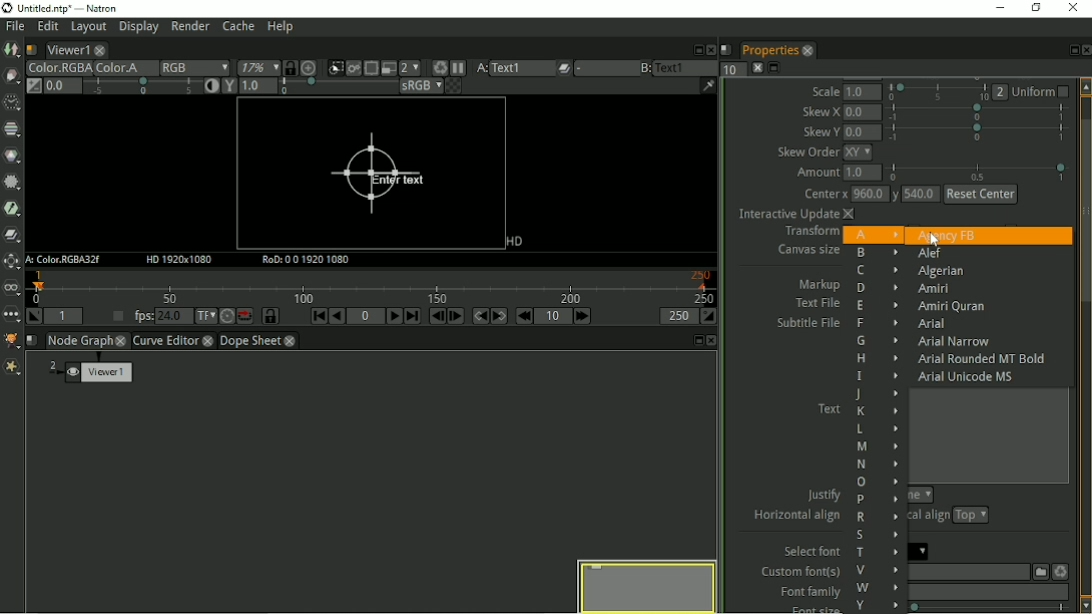 The image size is (1092, 614). I want to click on Previous increment, so click(524, 316).